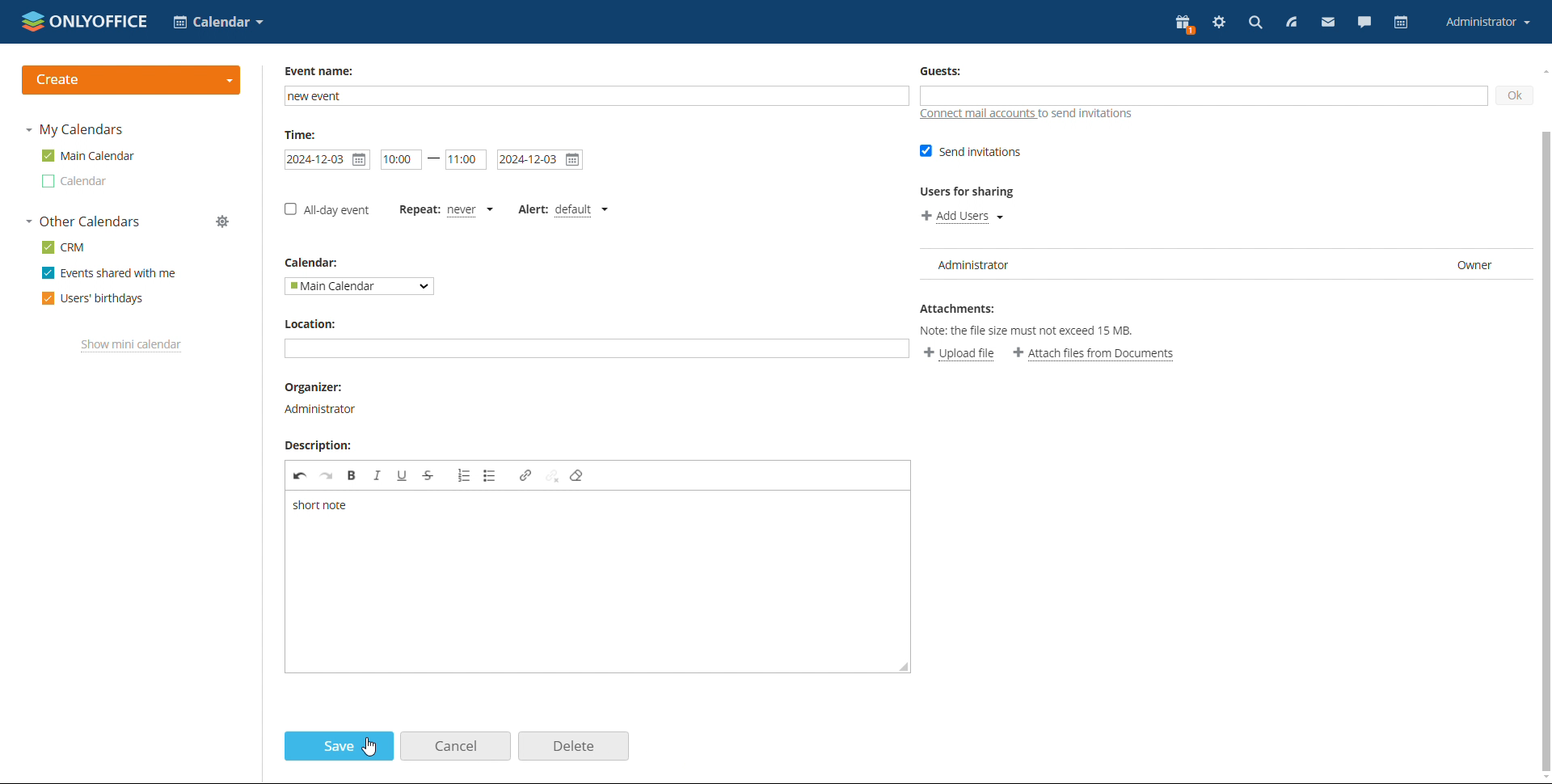 This screenshot has width=1552, height=784. What do you see at coordinates (593, 96) in the screenshot?
I see `add event name` at bounding box center [593, 96].